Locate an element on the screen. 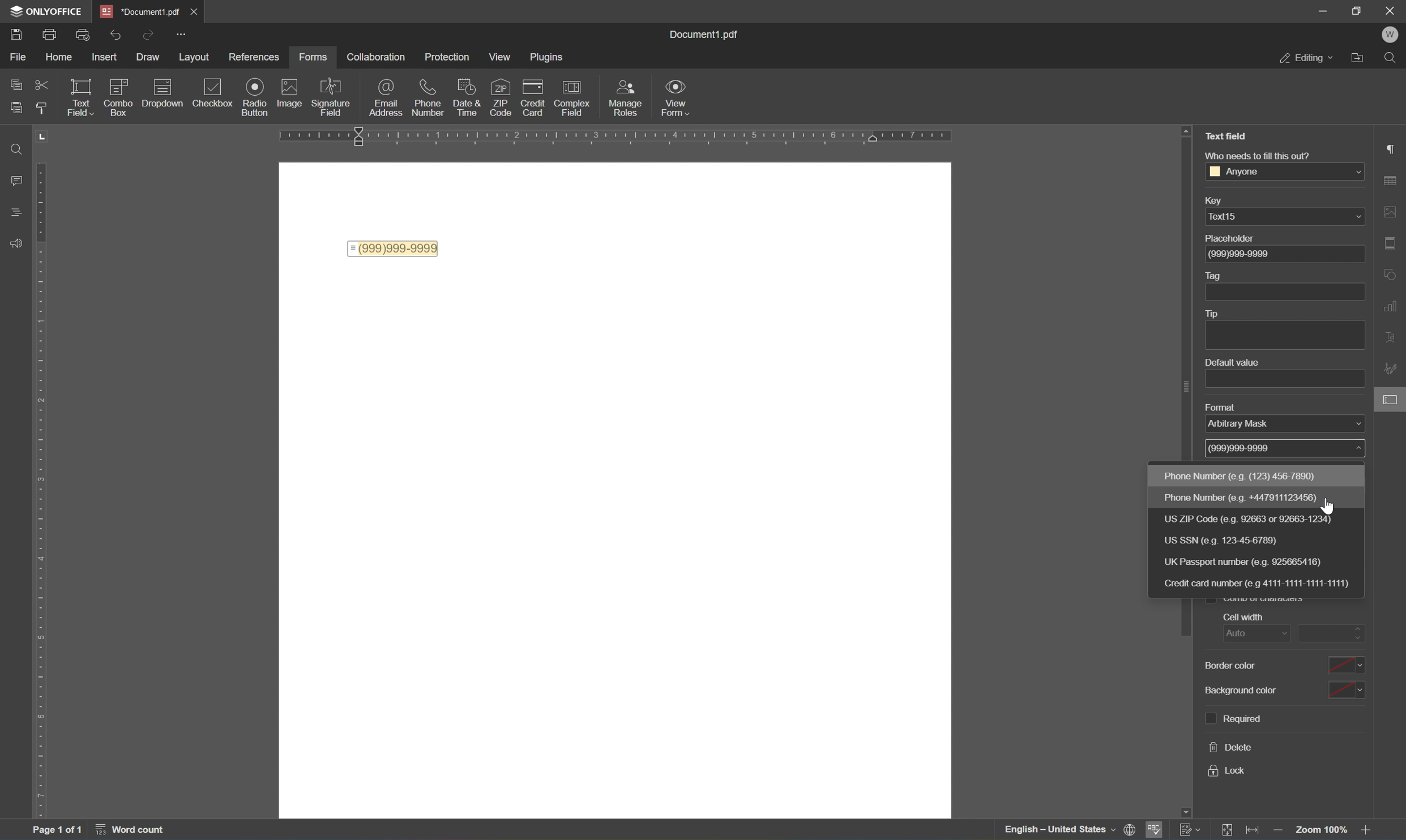 The height and width of the screenshot is (840, 1406). US ZIP code is located at coordinates (1249, 519).